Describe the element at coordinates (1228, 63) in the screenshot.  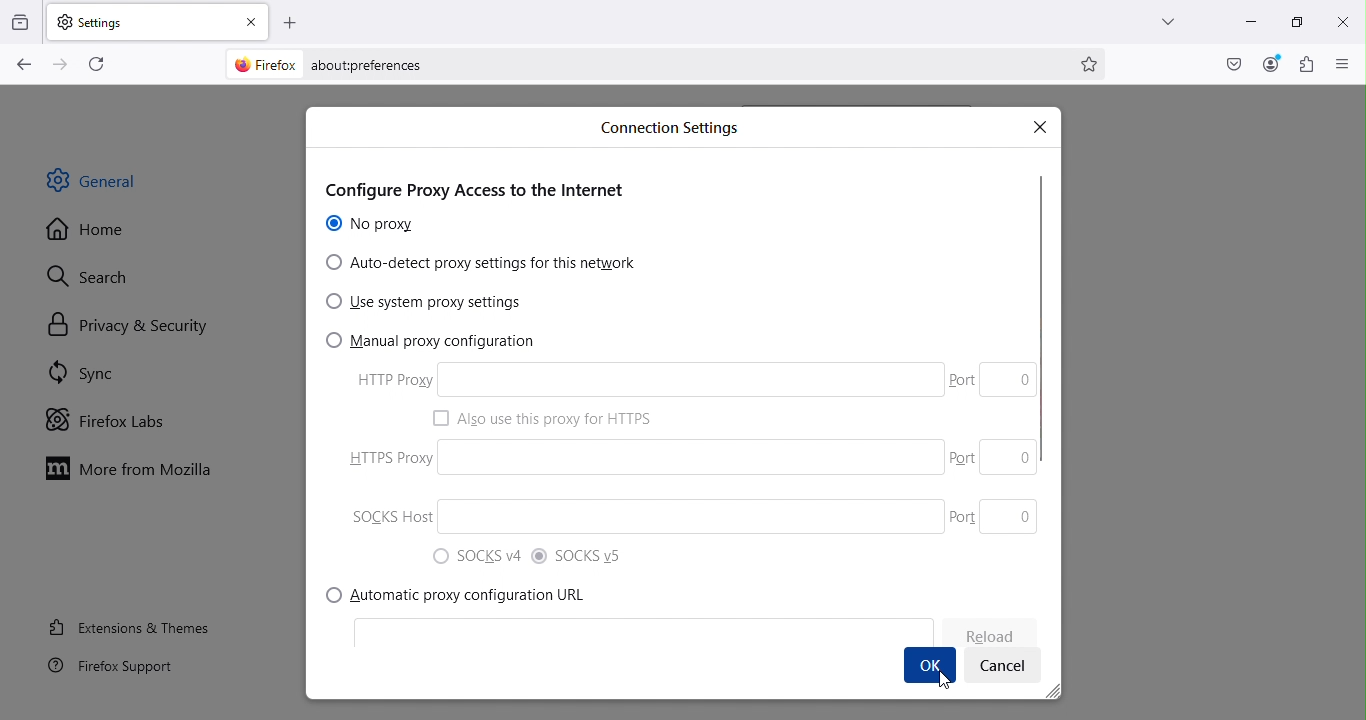
I see `Save to pocket` at that location.